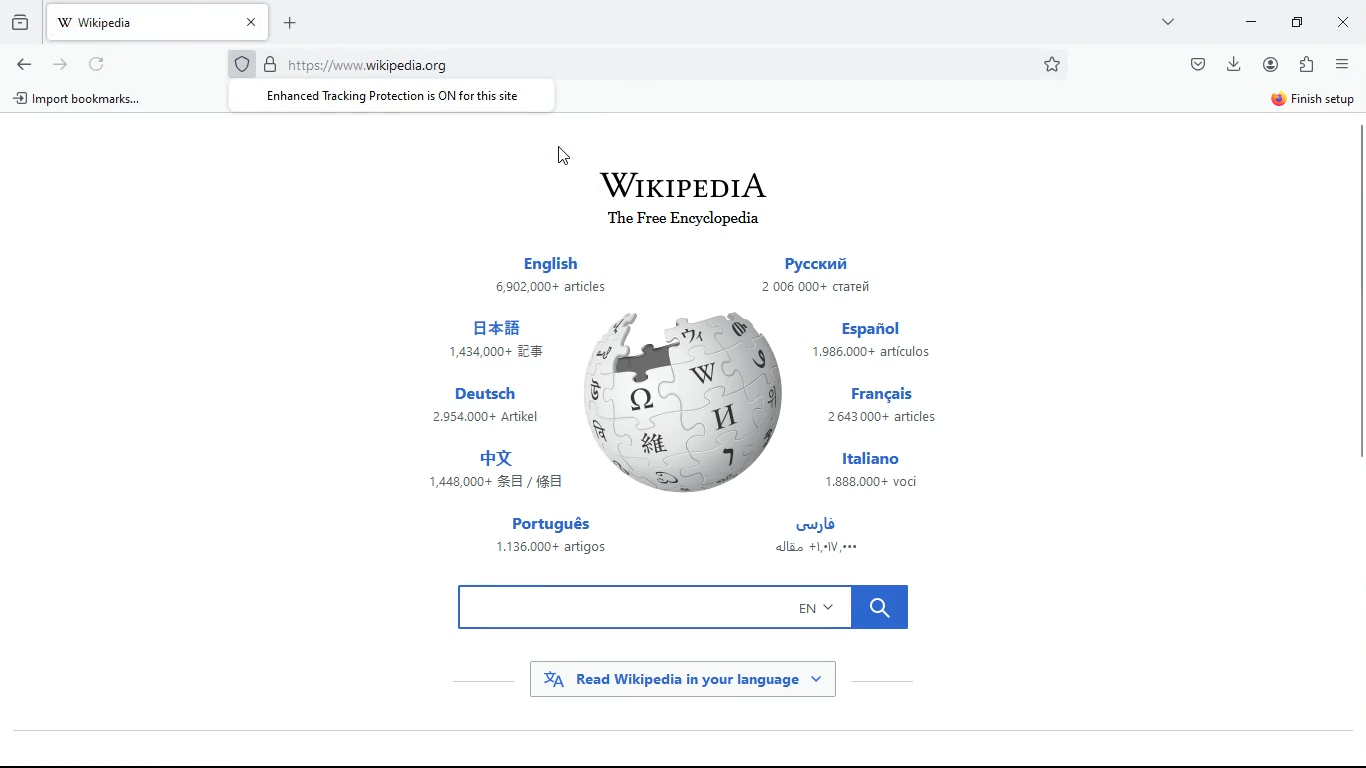 The width and height of the screenshot is (1366, 768). What do you see at coordinates (1340, 22) in the screenshot?
I see `close` at bounding box center [1340, 22].